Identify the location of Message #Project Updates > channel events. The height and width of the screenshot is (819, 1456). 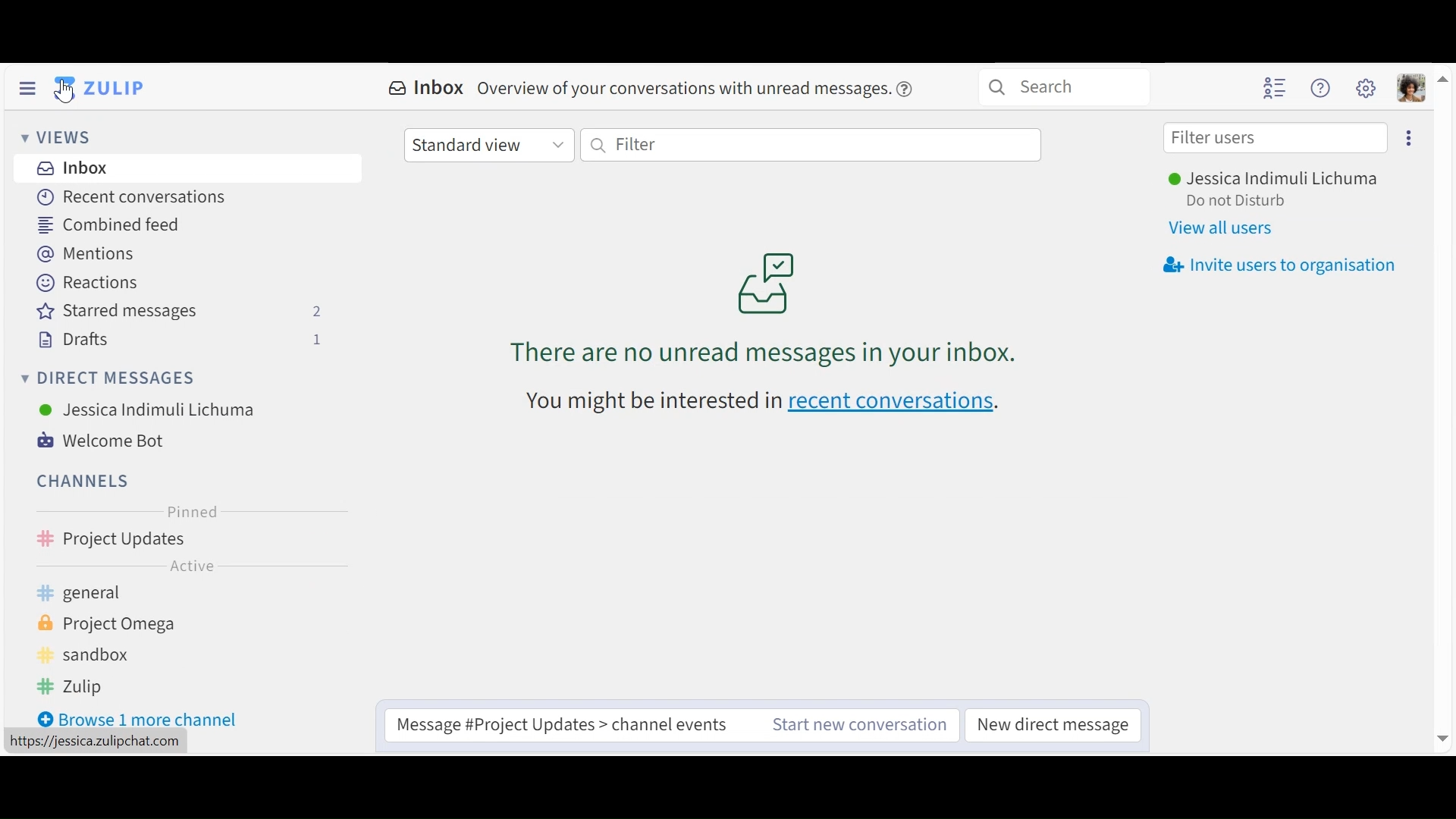
(563, 726).